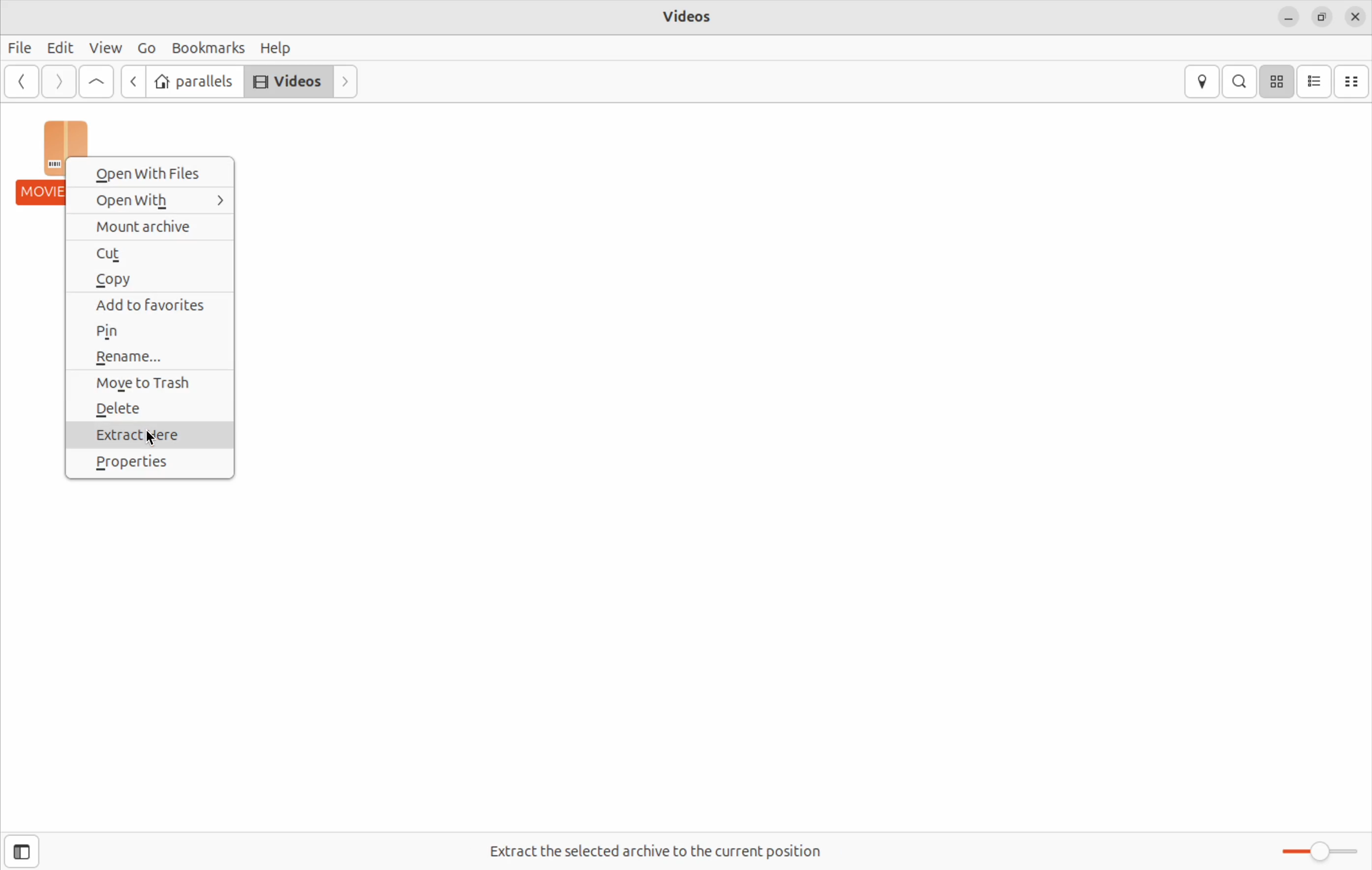 Image resolution: width=1372 pixels, height=870 pixels. Describe the element at coordinates (153, 252) in the screenshot. I see `cut` at that location.